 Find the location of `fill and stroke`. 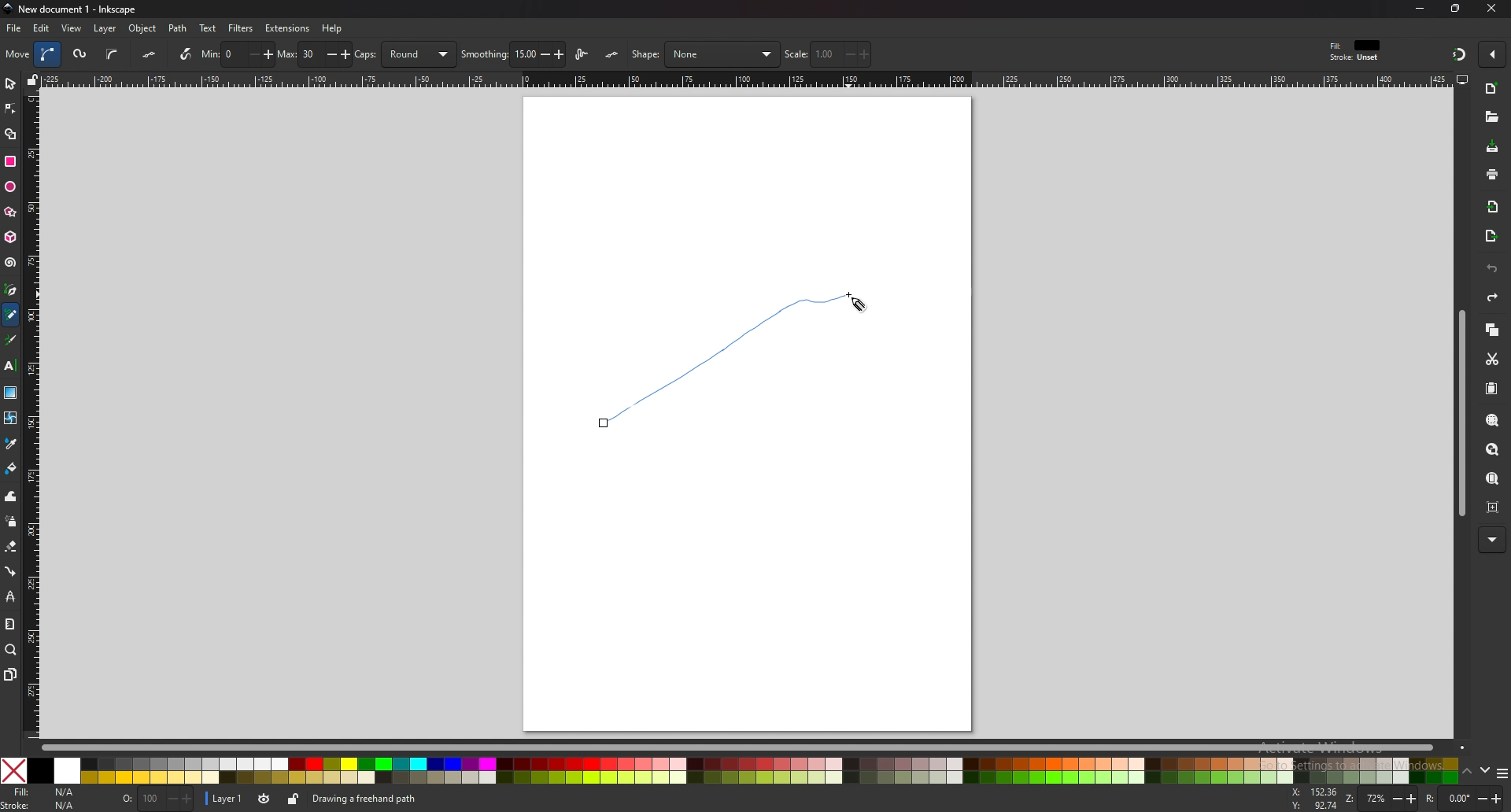

fill and stroke is located at coordinates (1356, 49).